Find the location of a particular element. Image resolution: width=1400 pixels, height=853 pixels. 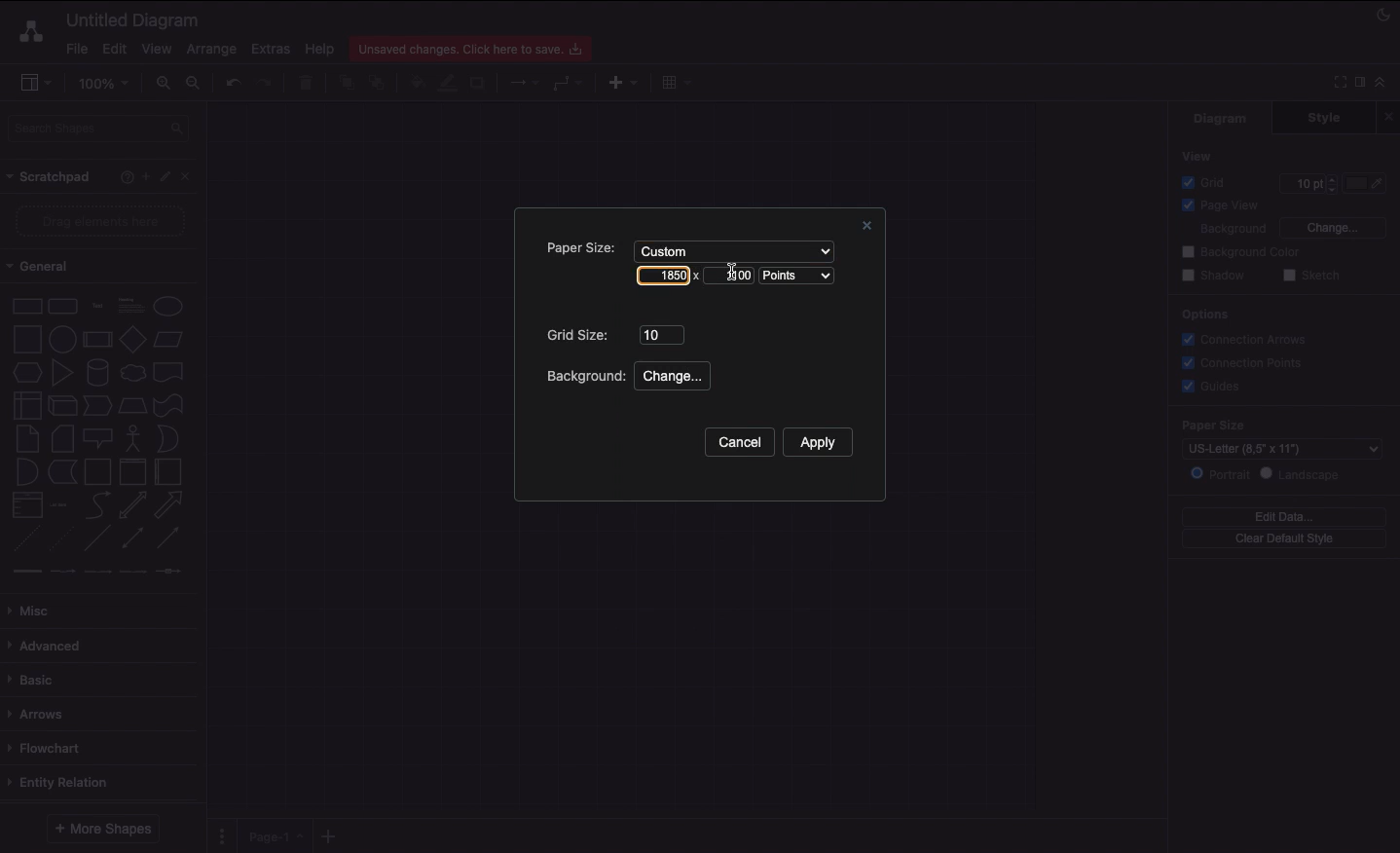

Background color is located at coordinates (1243, 252).